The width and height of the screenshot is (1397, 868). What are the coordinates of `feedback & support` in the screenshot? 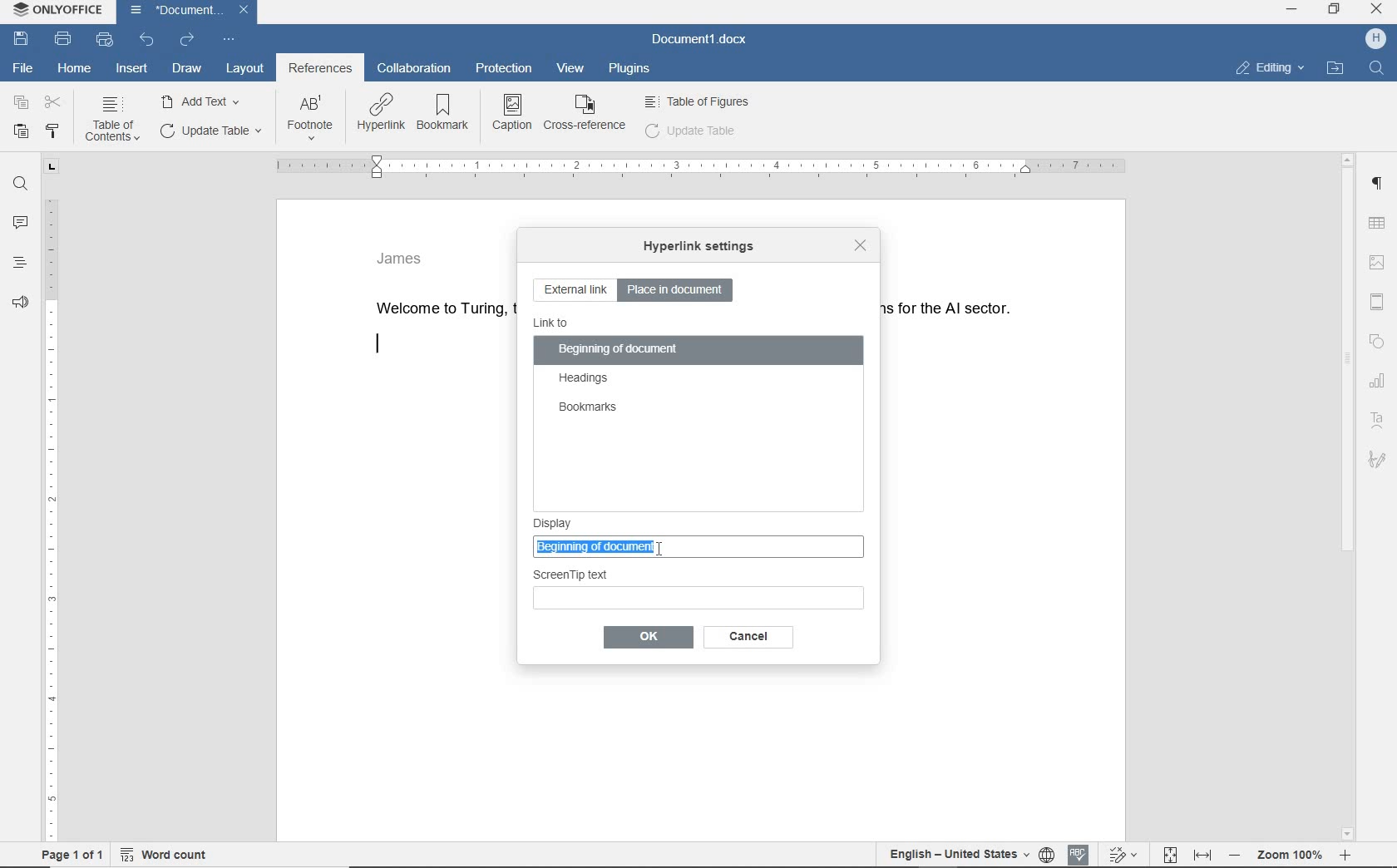 It's located at (18, 306).